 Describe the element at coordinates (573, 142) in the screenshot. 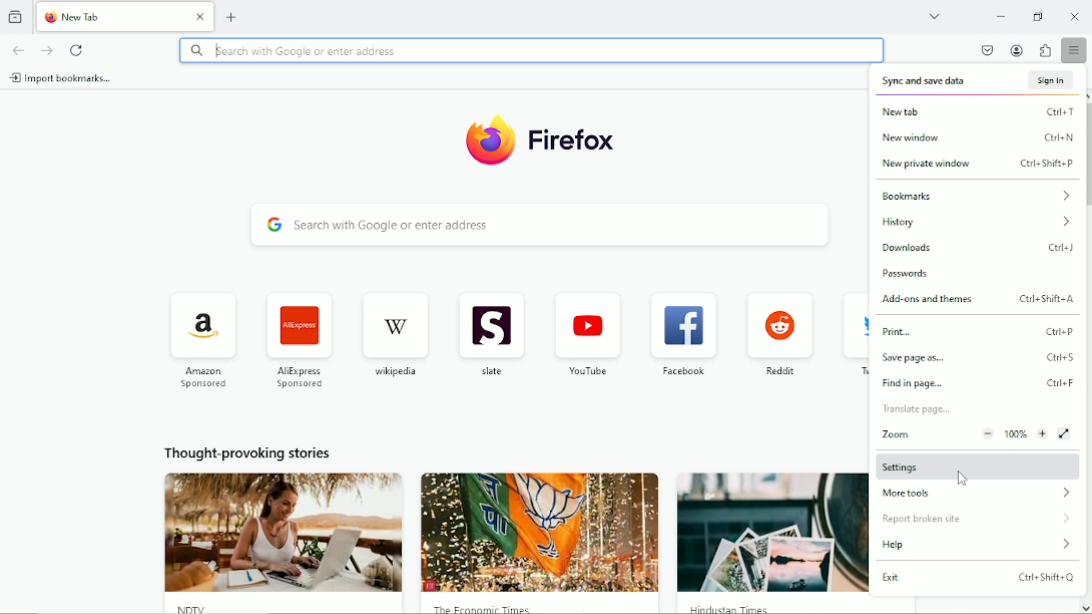

I see `Firefox` at that location.